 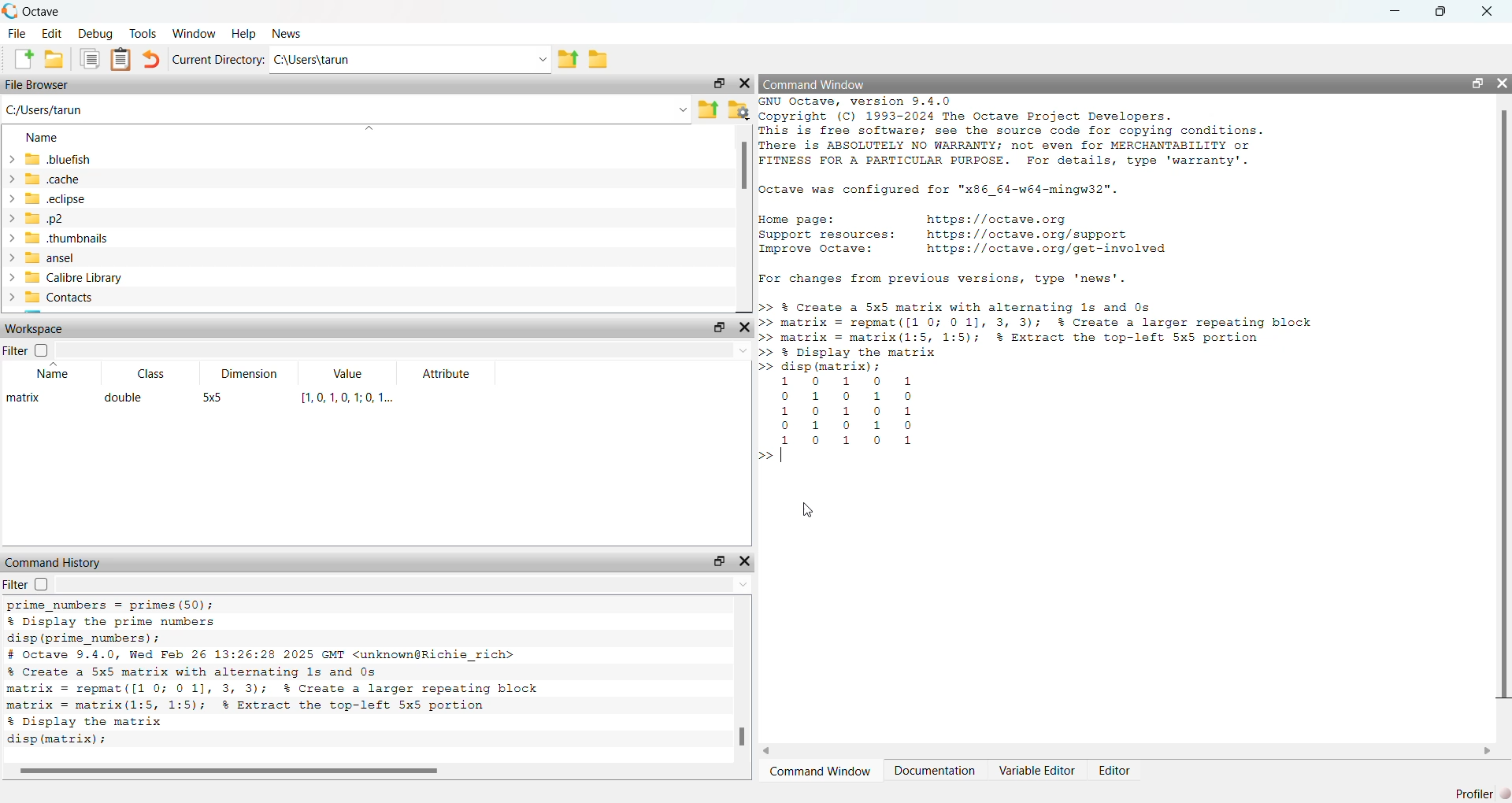 What do you see at coordinates (145, 34) in the screenshot?
I see `Tools` at bounding box center [145, 34].